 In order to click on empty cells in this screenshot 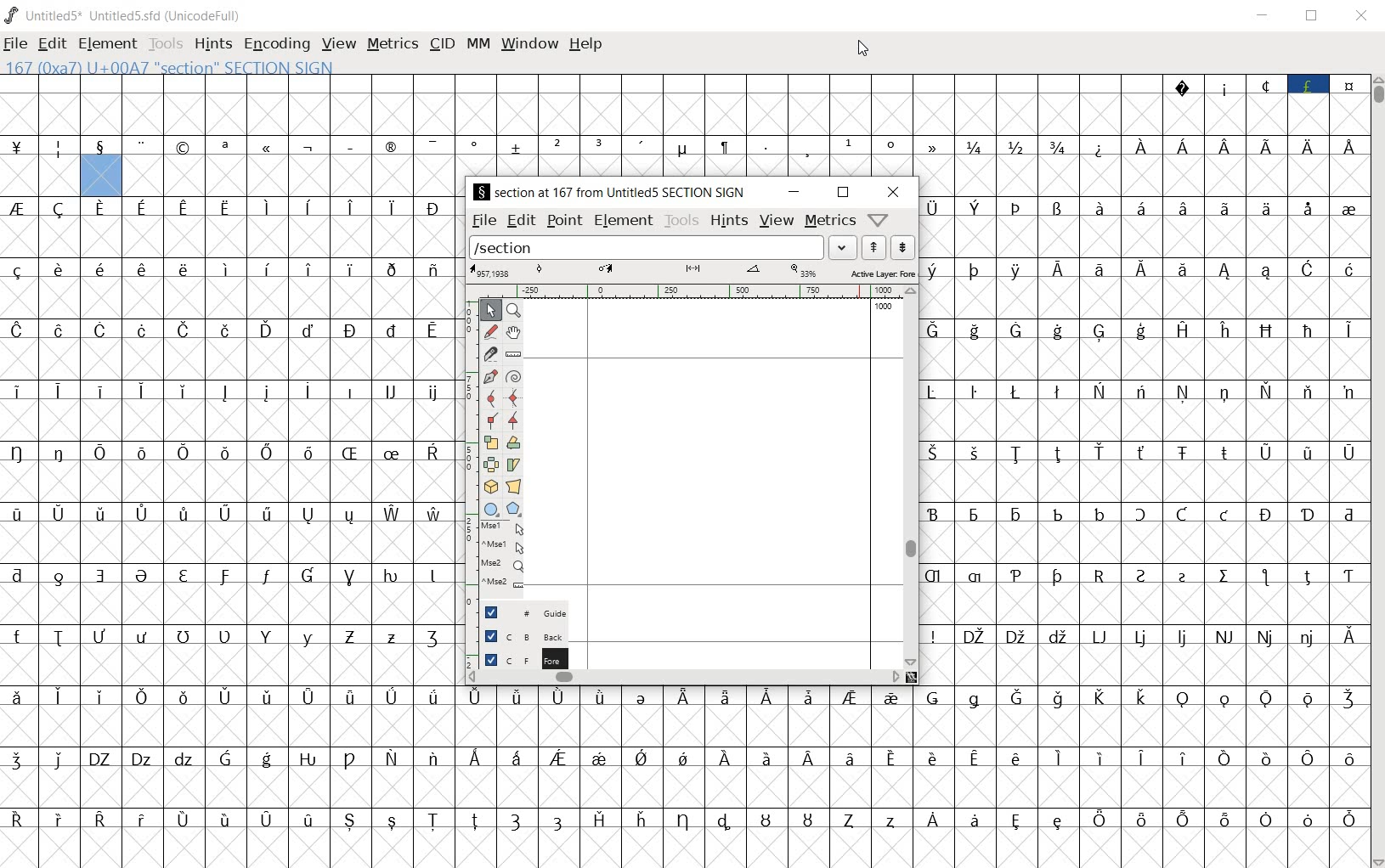, I will do `click(685, 848)`.